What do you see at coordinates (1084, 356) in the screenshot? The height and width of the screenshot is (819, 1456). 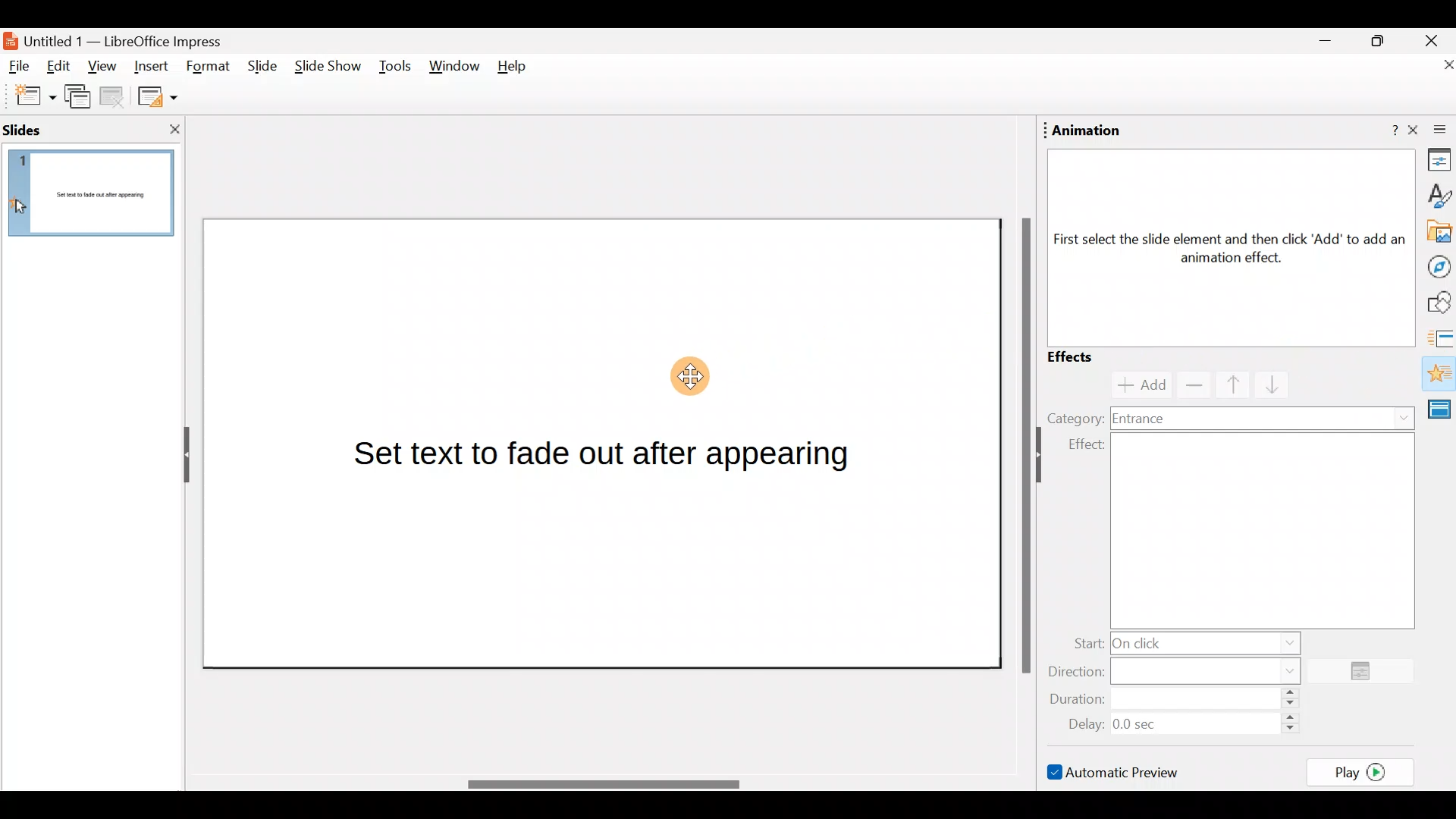 I see `Effects` at bounding box center [1084, 356].